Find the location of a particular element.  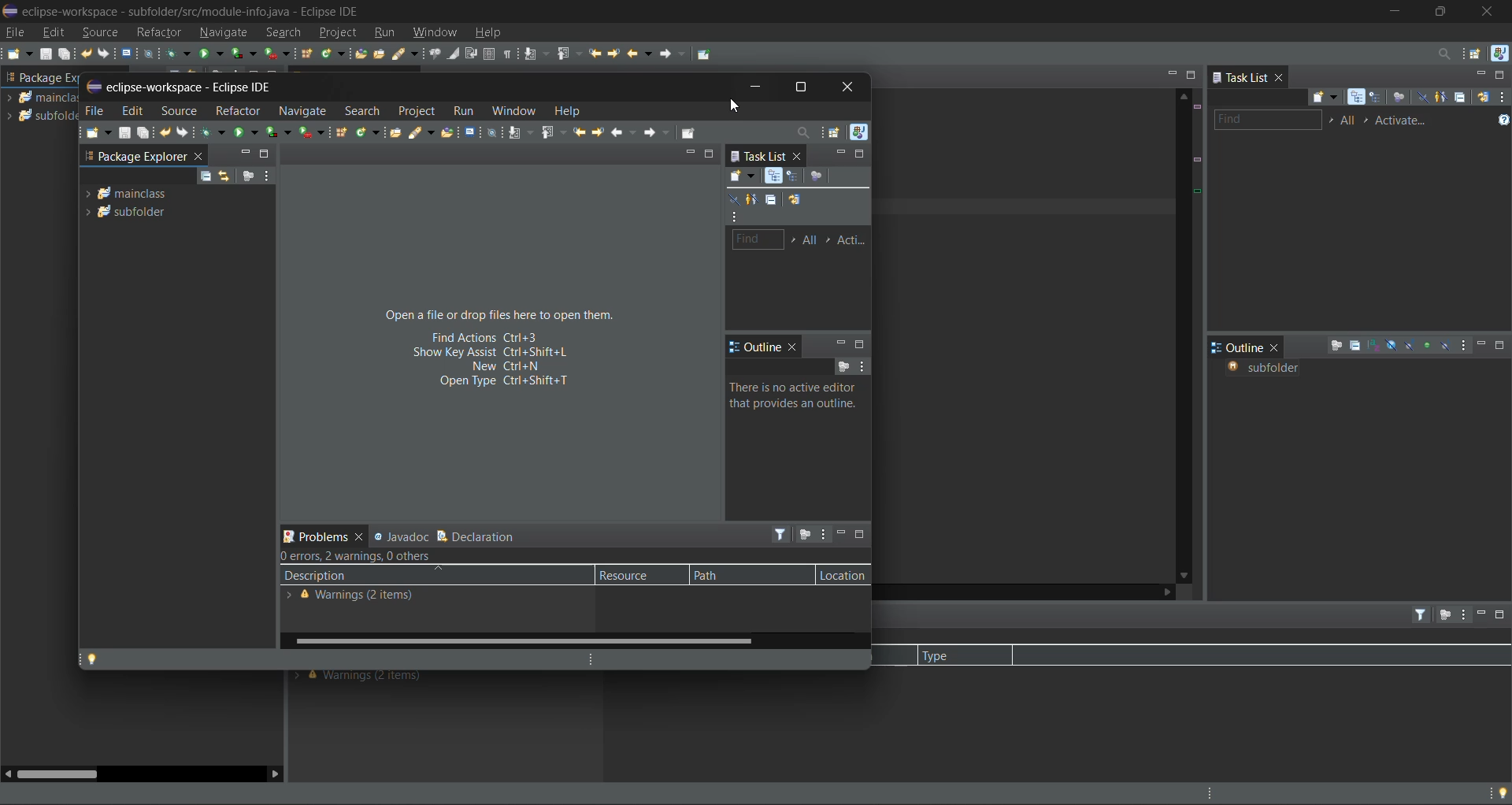

find is located at coordinates (1266, 119).